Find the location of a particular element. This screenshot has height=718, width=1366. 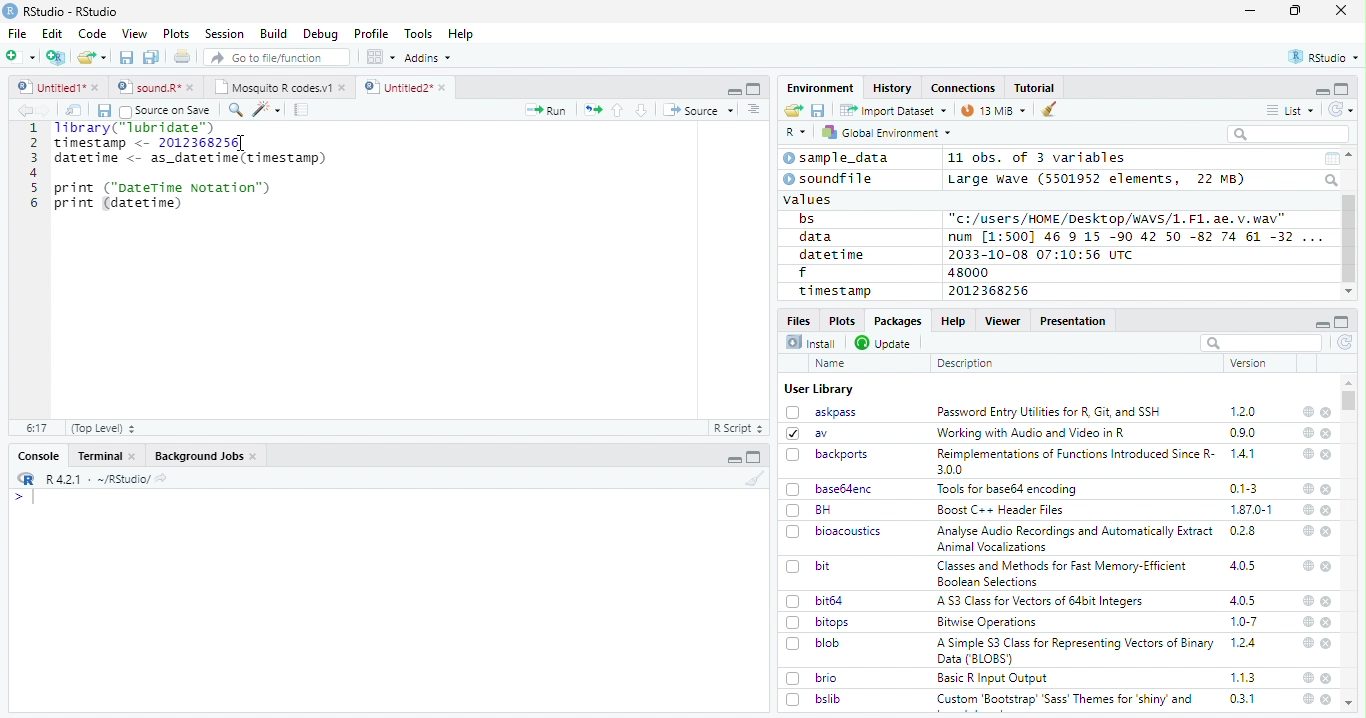

backports is located at coordinates (830, 455).